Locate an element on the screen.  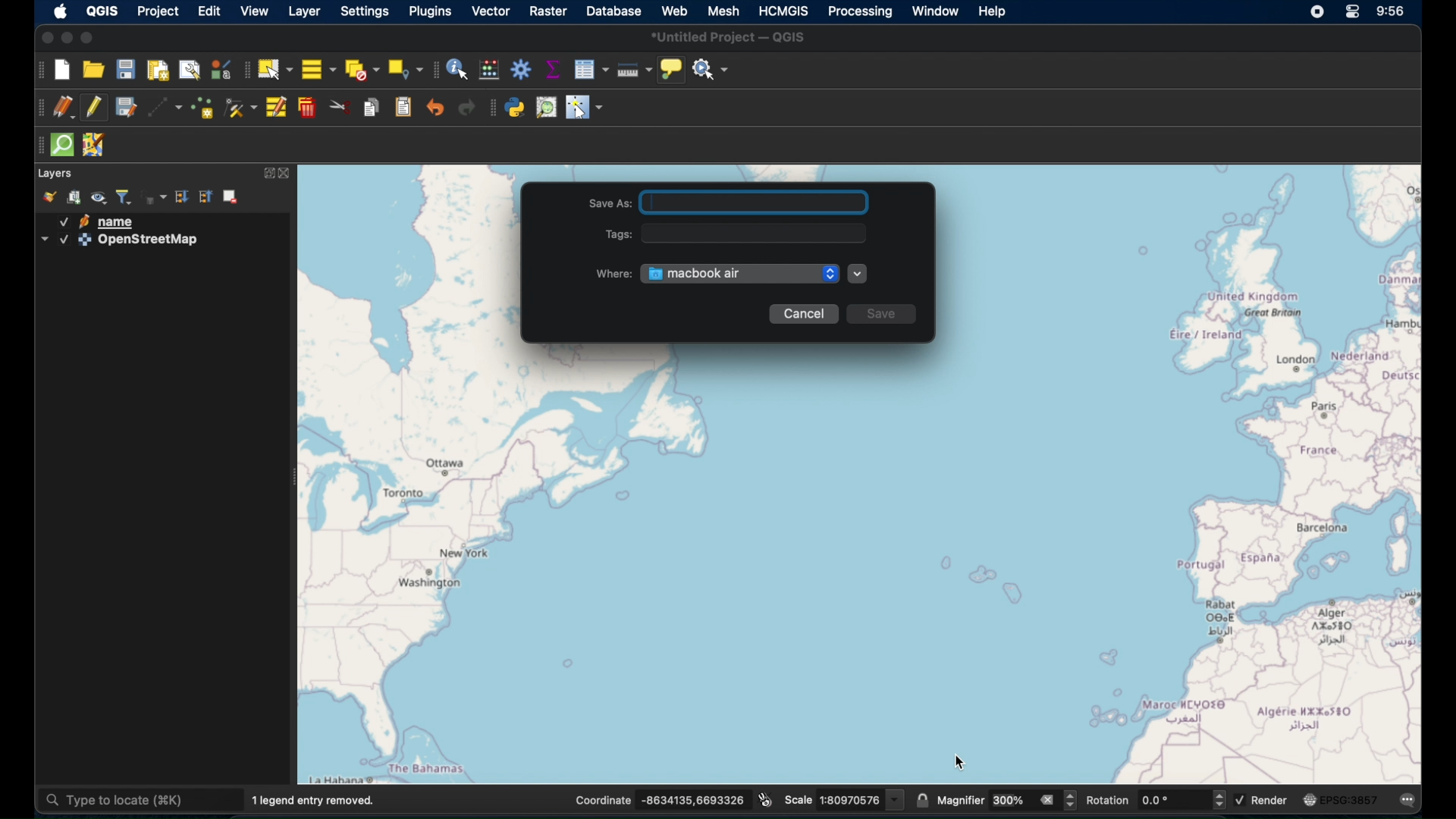
layer is located at coordinates (304, 12).